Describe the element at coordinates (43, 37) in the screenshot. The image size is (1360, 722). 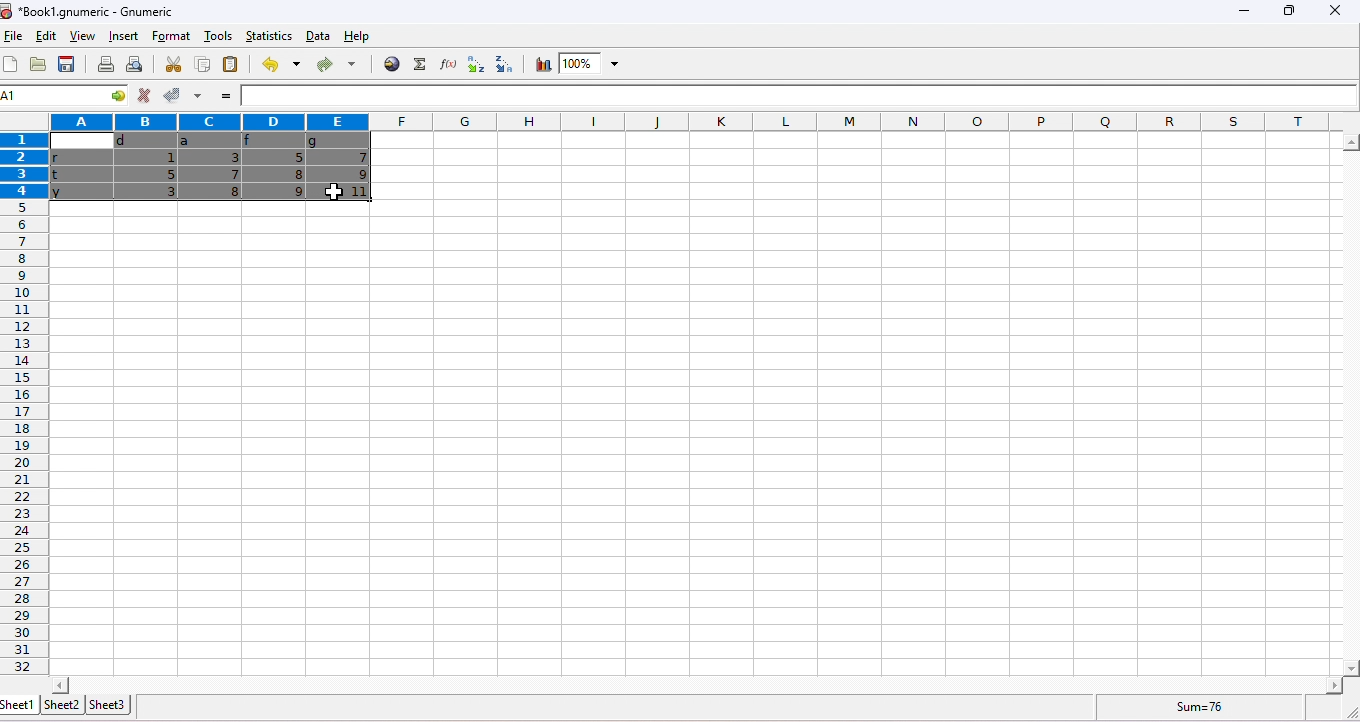
I see `edit` at that location.